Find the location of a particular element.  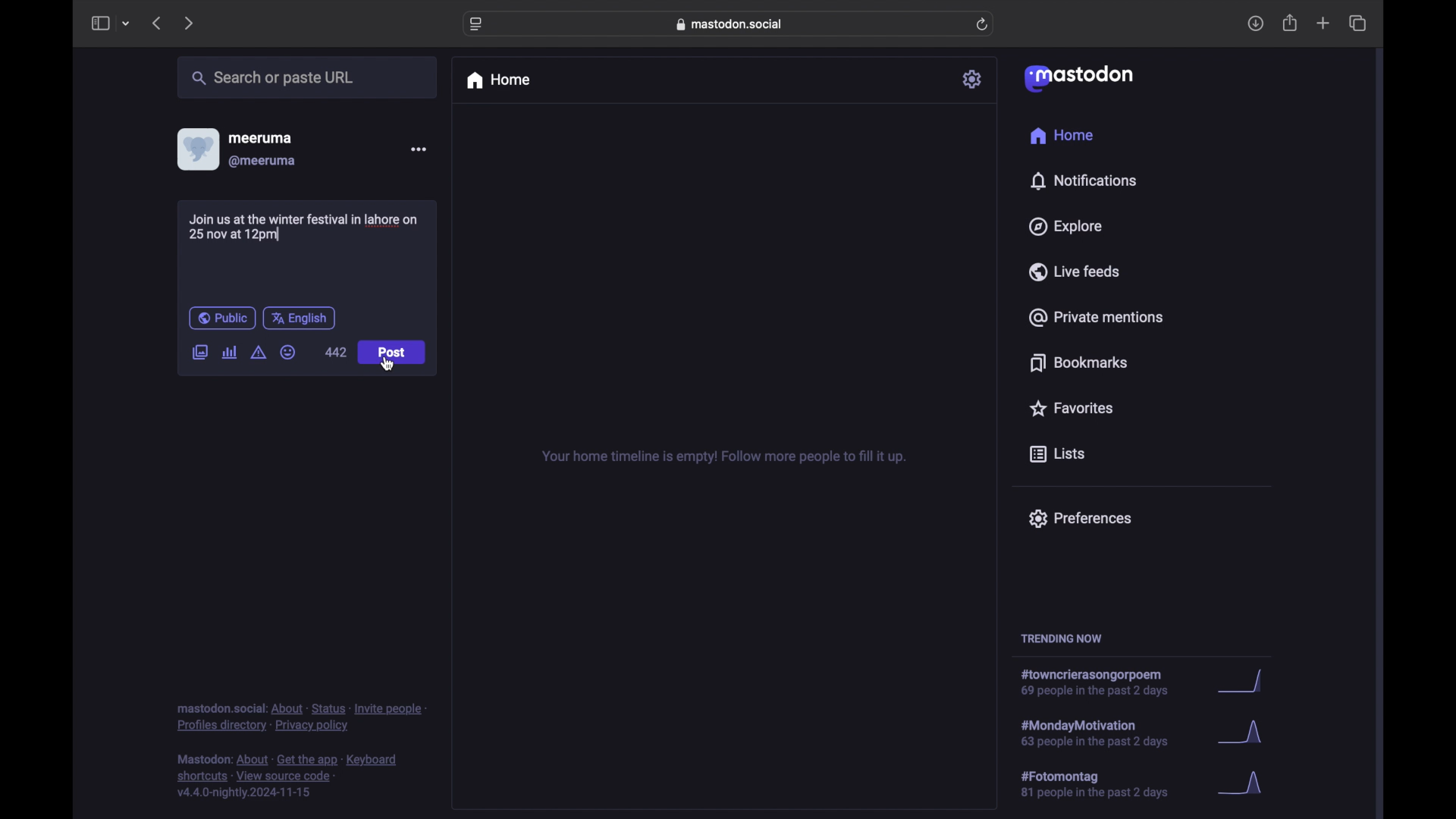

footnote is located at coordinates (302, 717).